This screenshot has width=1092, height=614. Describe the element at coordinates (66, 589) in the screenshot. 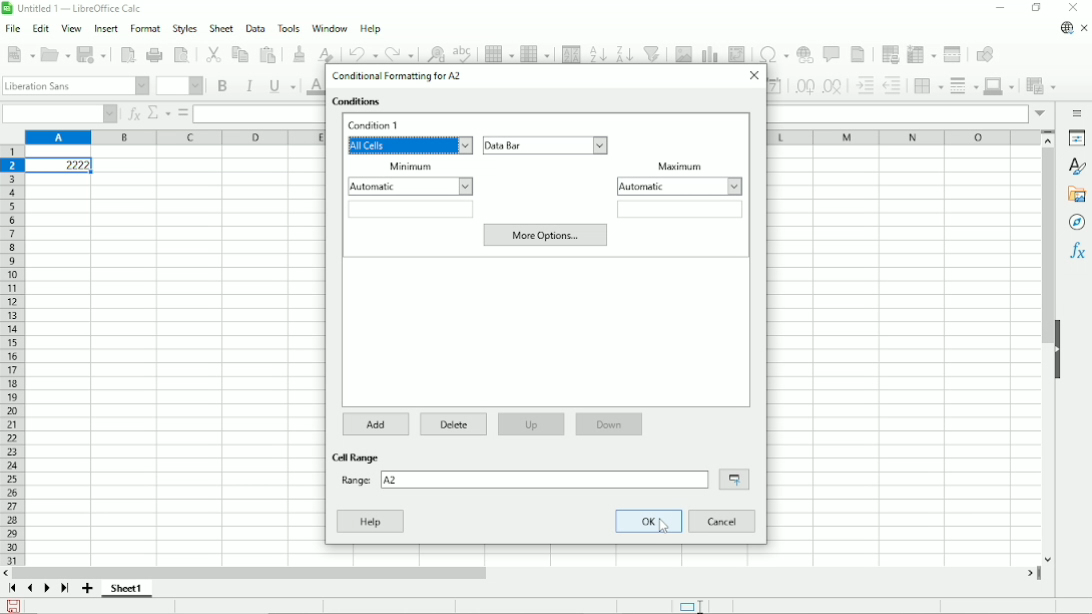

I see `Scroll to last sheet` at that location.